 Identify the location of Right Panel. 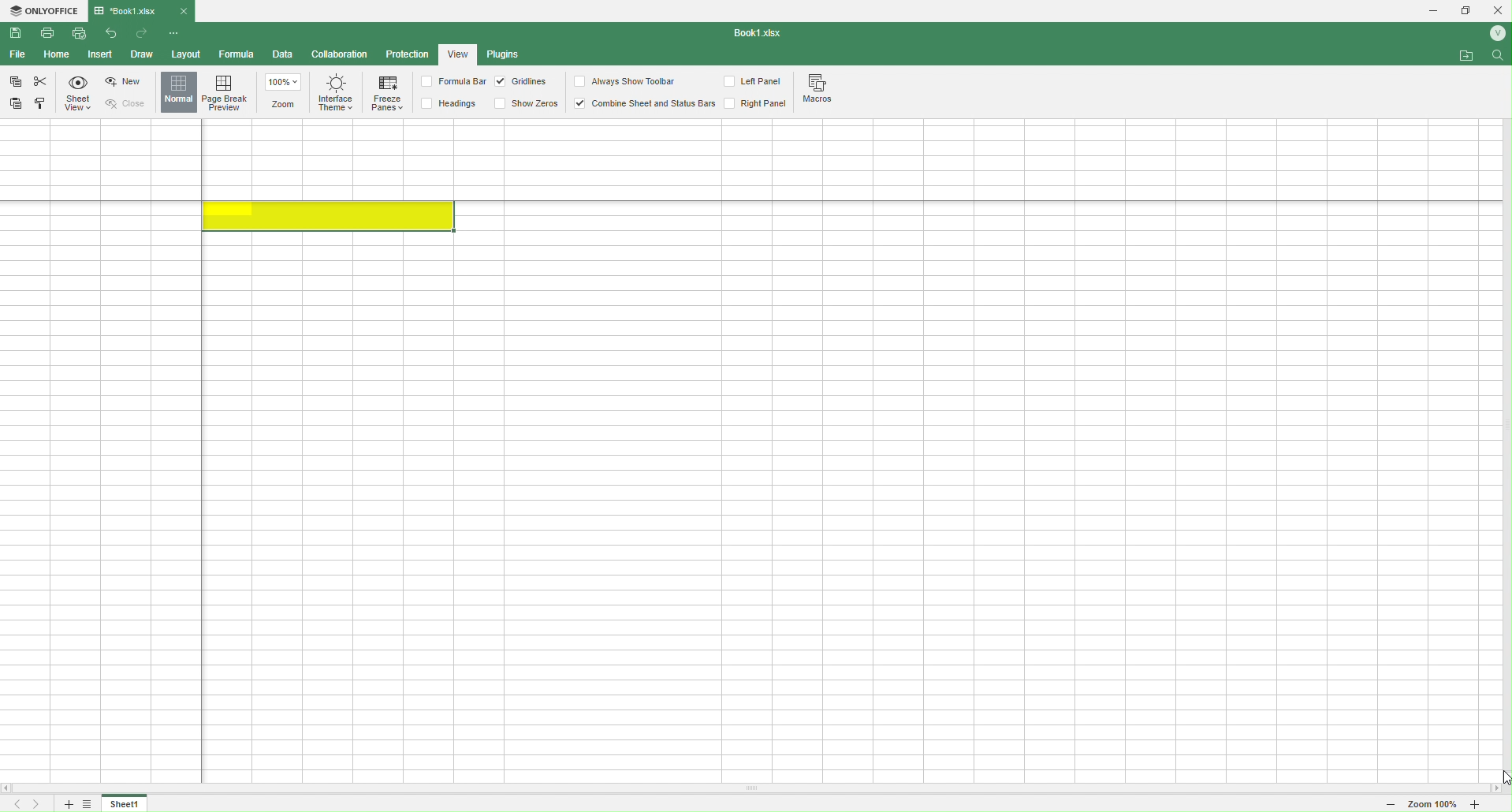
(765, 105).